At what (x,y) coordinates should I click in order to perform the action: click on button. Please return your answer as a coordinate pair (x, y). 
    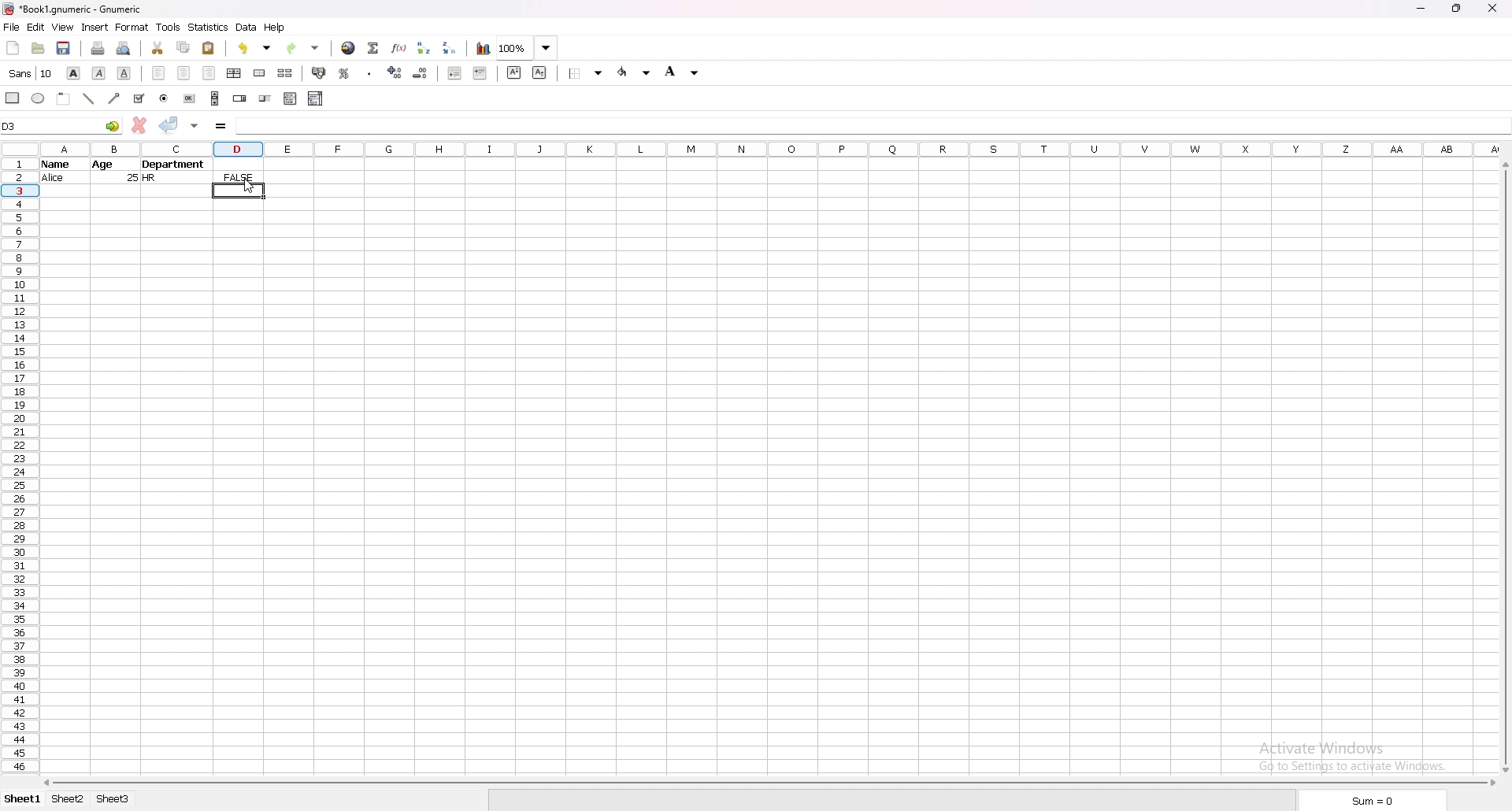
    Looking at the image, I should click on (188, 99).